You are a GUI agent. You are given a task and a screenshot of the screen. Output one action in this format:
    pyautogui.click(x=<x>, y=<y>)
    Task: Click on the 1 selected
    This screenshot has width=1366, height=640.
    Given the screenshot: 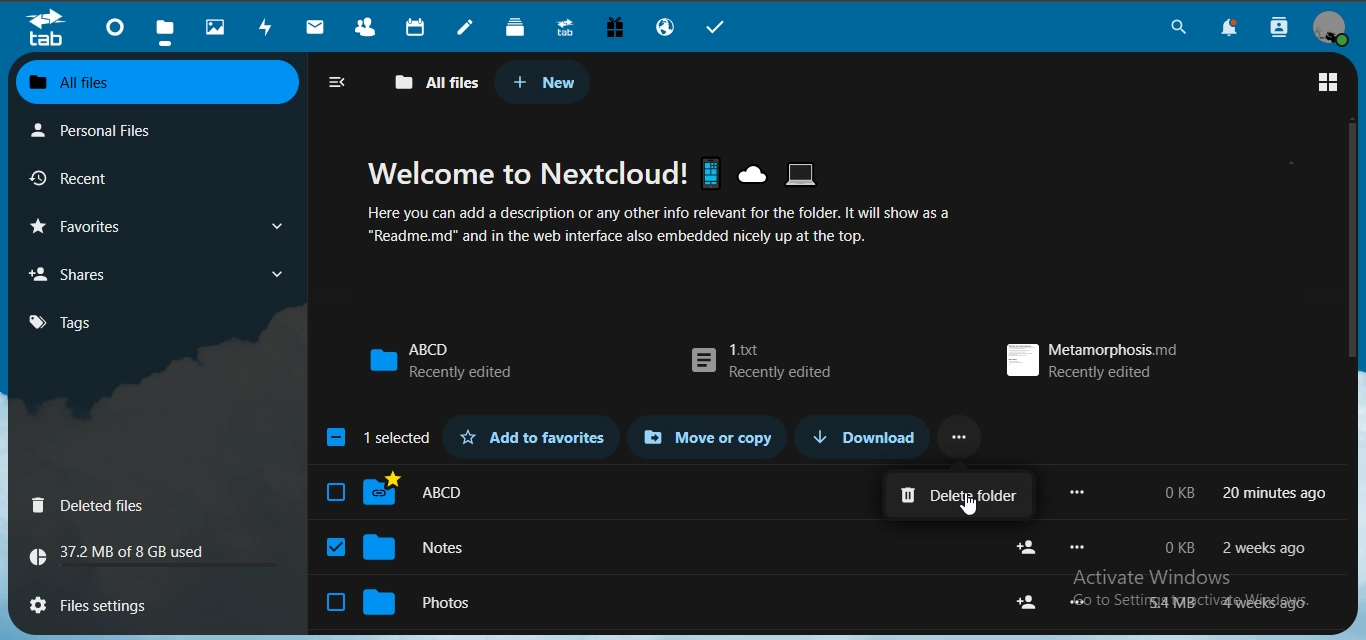 What is the action you would take?
    pyautogui.click(x=378, y=436)
    